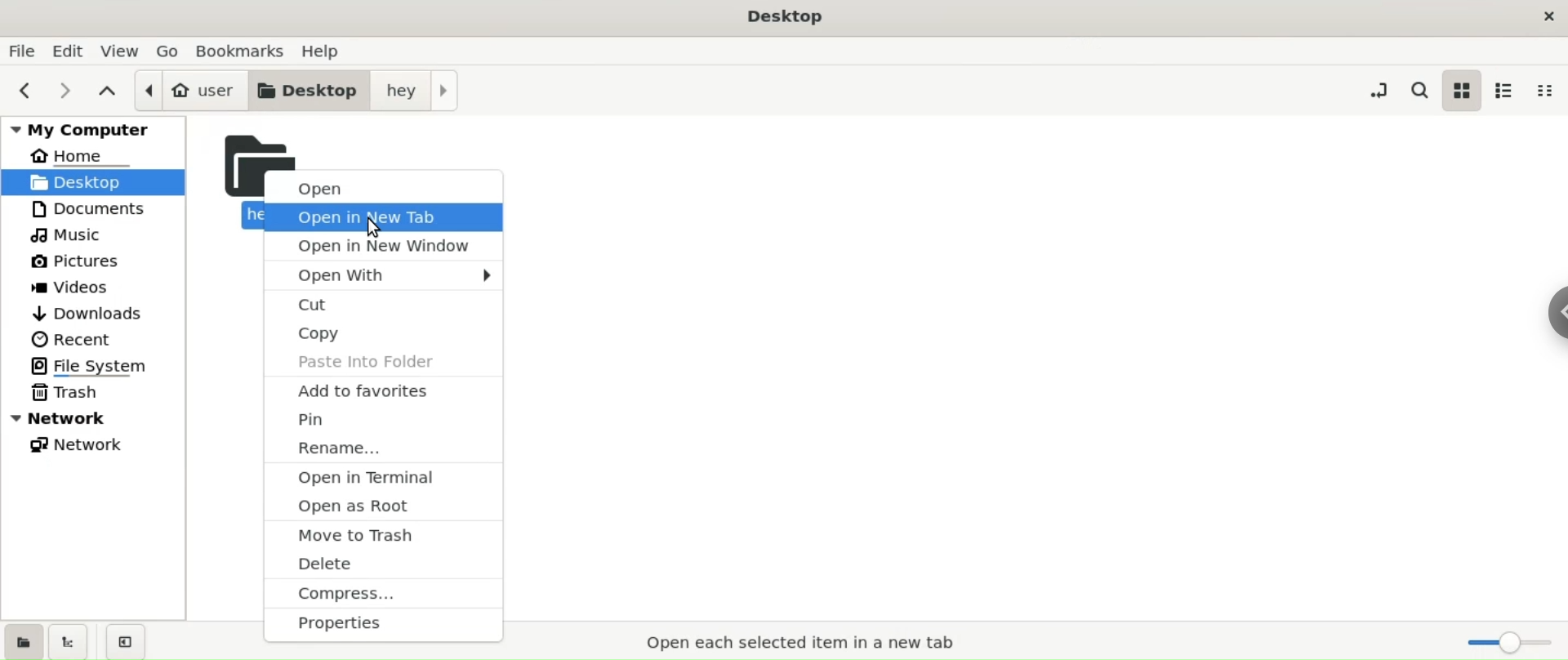  I want to click on help, so click(328, 51).